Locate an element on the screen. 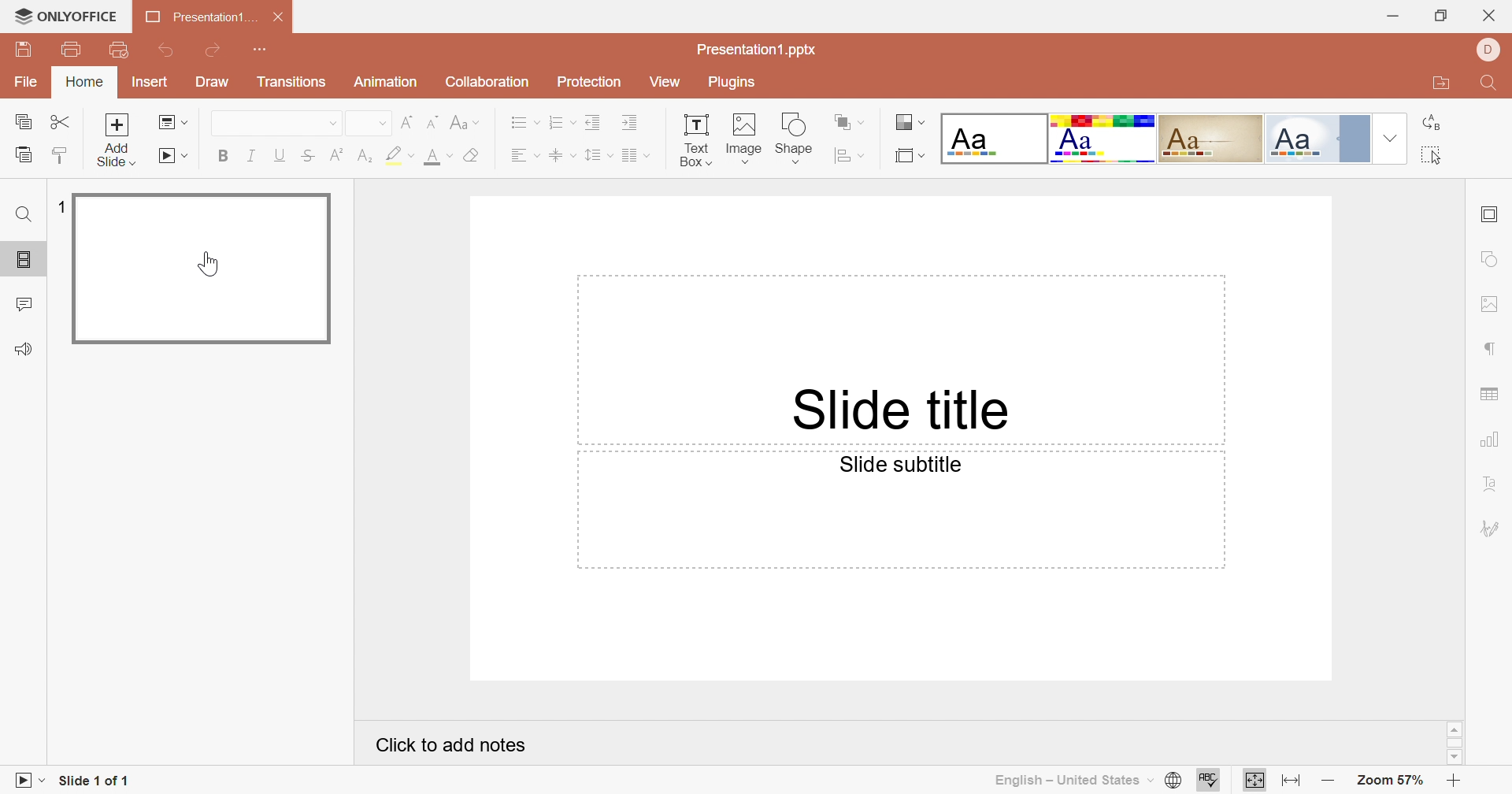 The height and width of the screenshot is (794, 1512). Protection is located at coordinates (590, 83).